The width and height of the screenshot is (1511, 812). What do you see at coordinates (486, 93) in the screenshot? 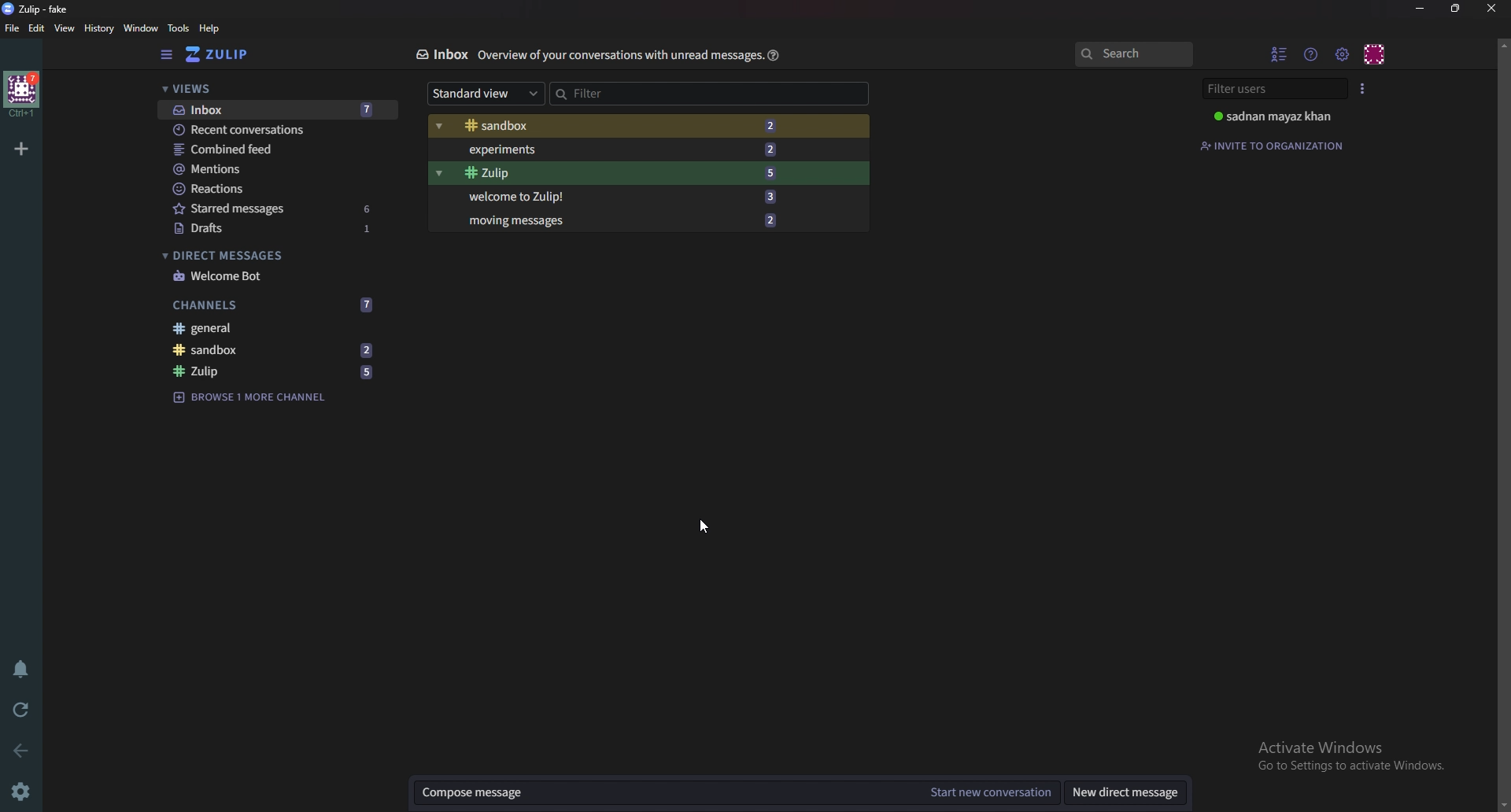
I see `standard view` at bounding box center [486, 93].